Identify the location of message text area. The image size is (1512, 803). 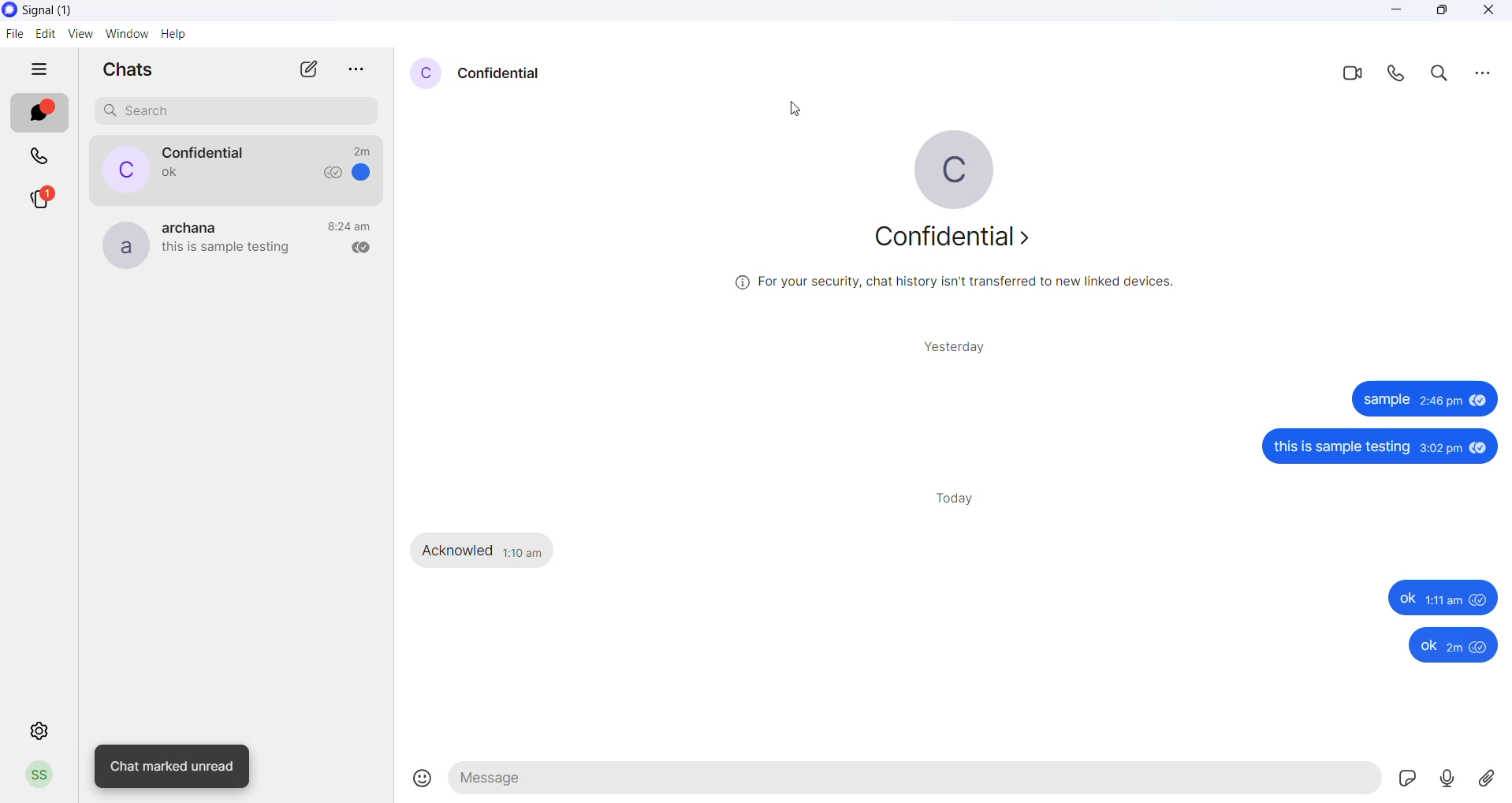
(916, 780).